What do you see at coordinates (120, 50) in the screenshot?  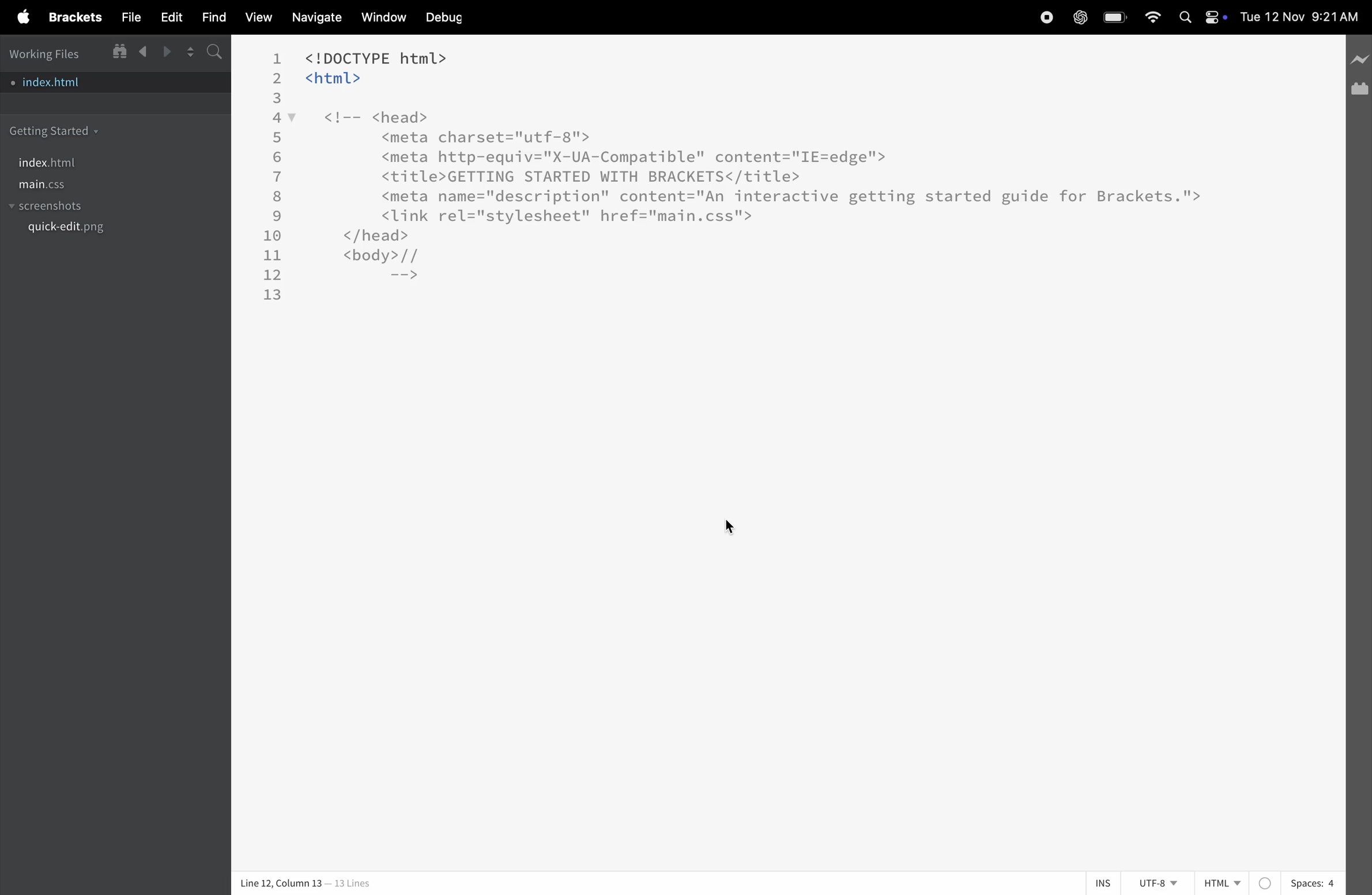 I see `show in file tree` at bounding box center [120, 50].